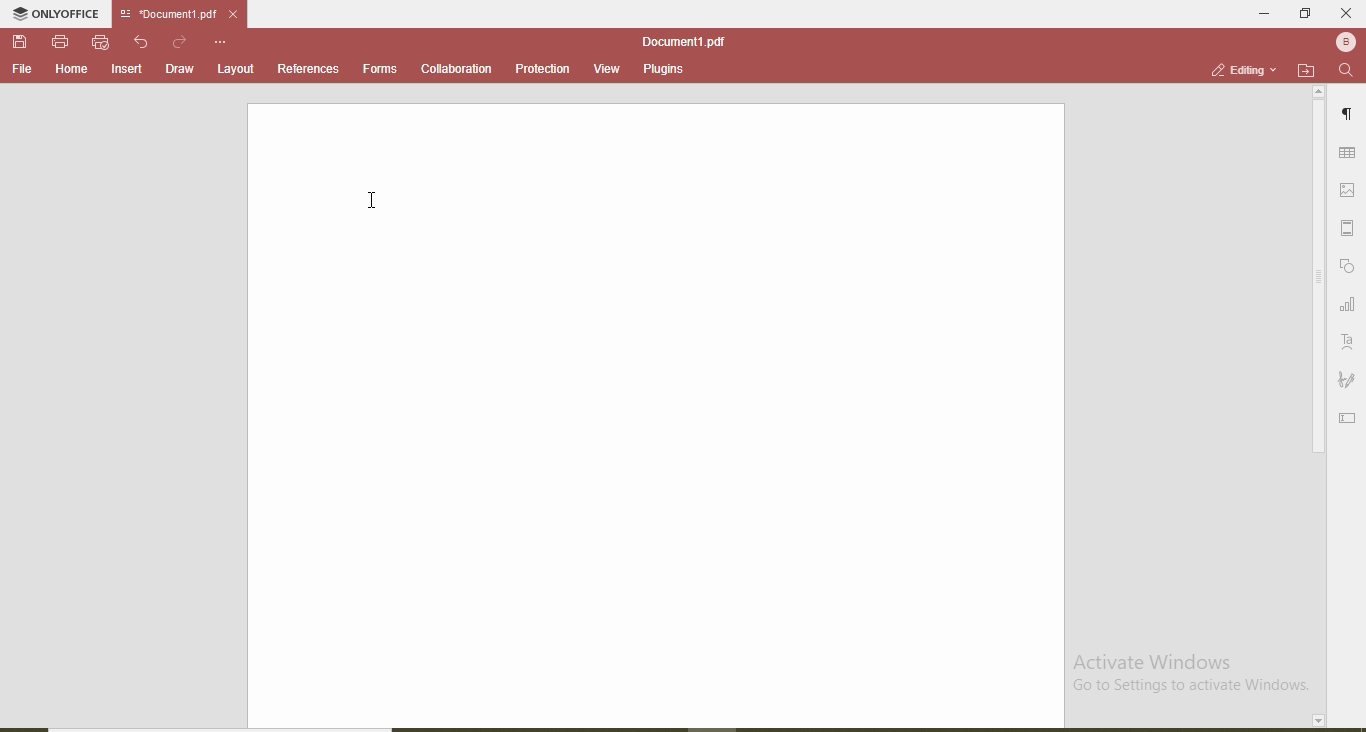  Describe the element at coordinates (376, 196) in the screenshot. I see `cursor` at that location.